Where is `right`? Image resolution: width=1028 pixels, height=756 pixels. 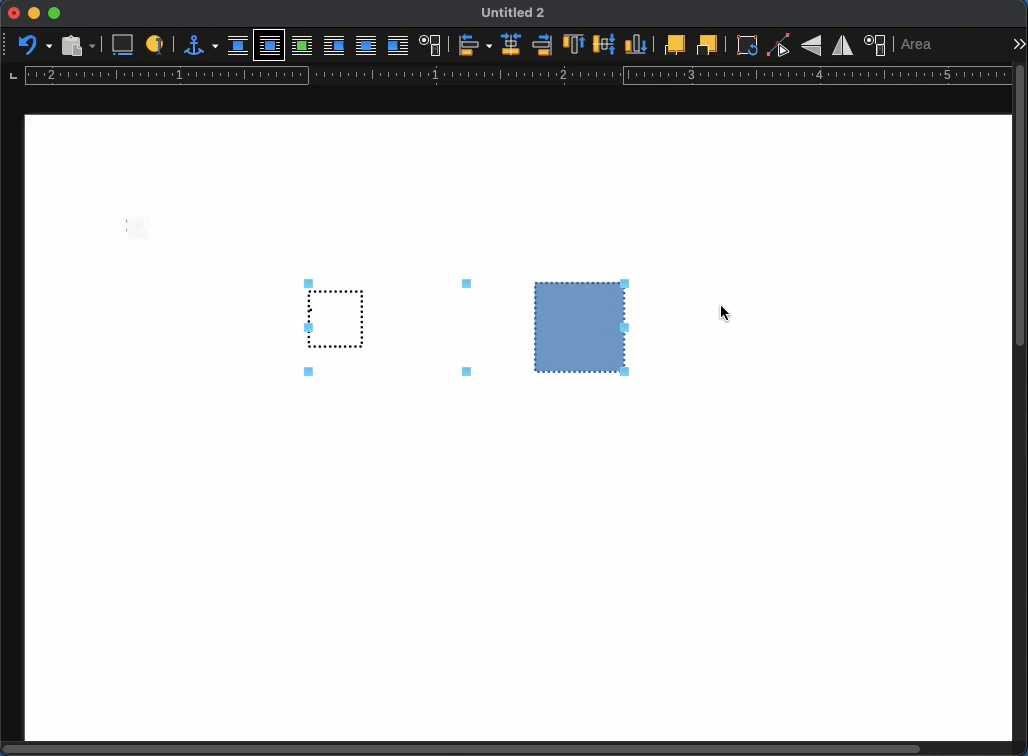 right is located at coordinates (542, 45).